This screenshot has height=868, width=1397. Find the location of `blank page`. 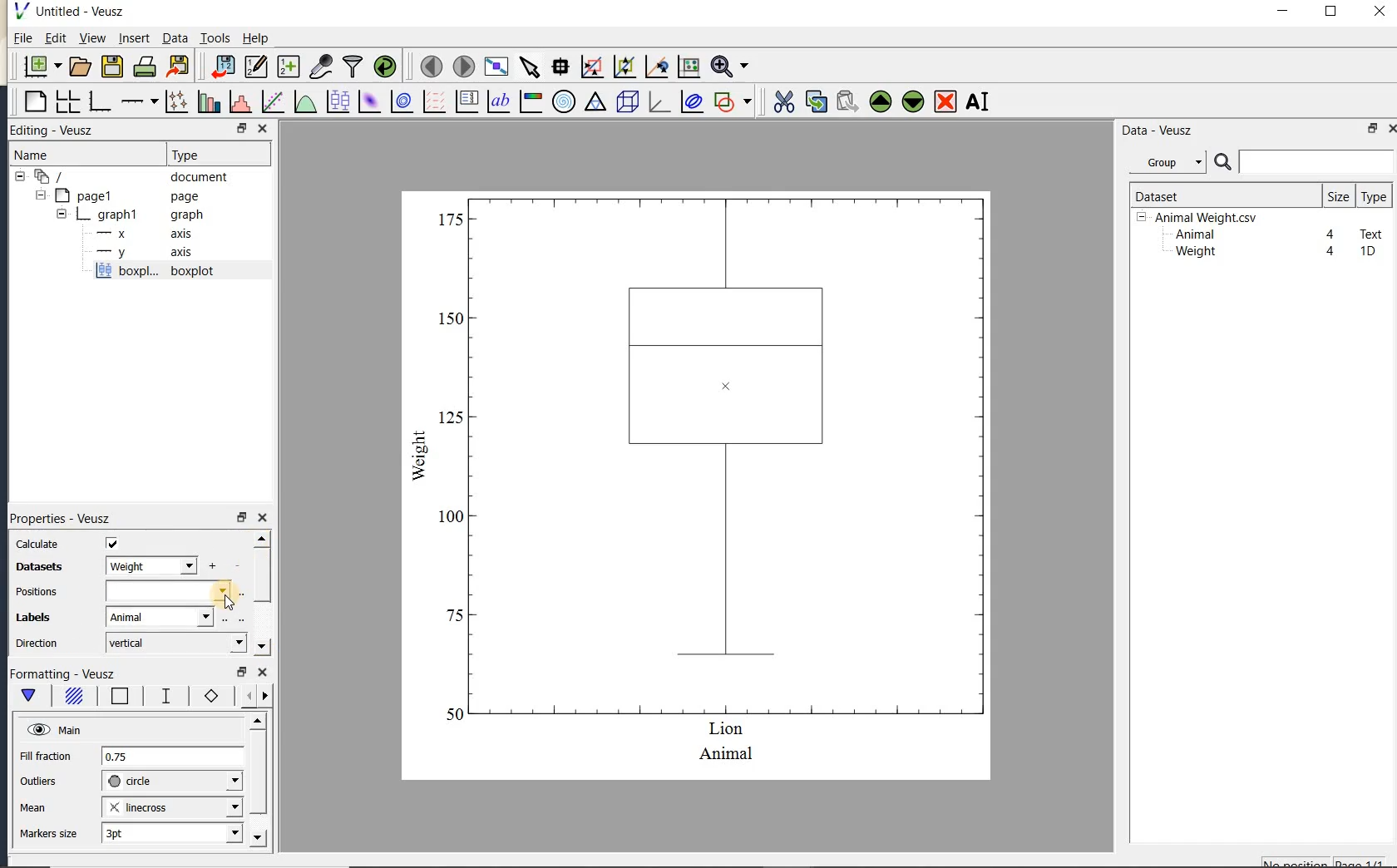

blank page is located at coordinates (33, 102).